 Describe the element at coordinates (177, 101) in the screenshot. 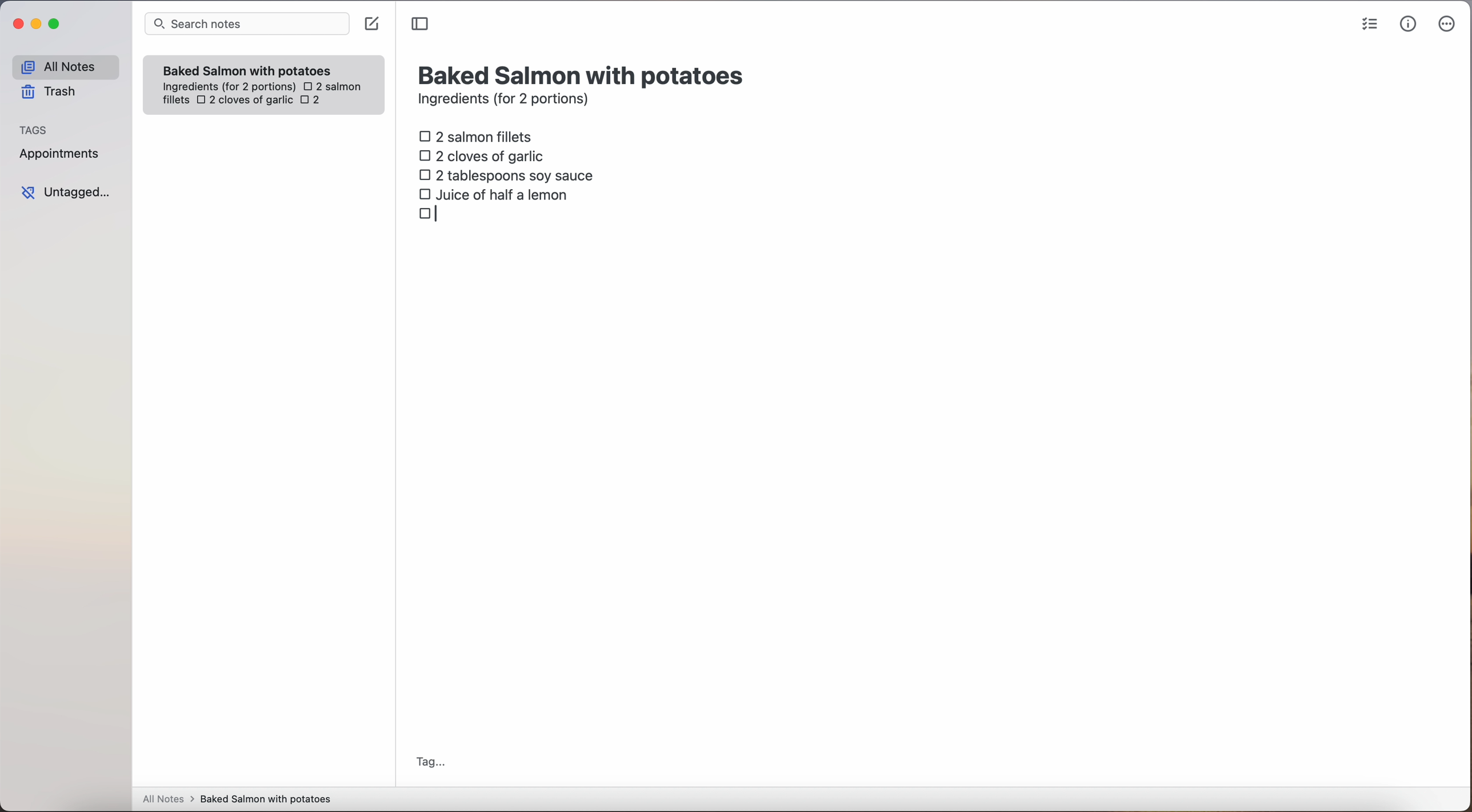

I see `fillets` at that location.